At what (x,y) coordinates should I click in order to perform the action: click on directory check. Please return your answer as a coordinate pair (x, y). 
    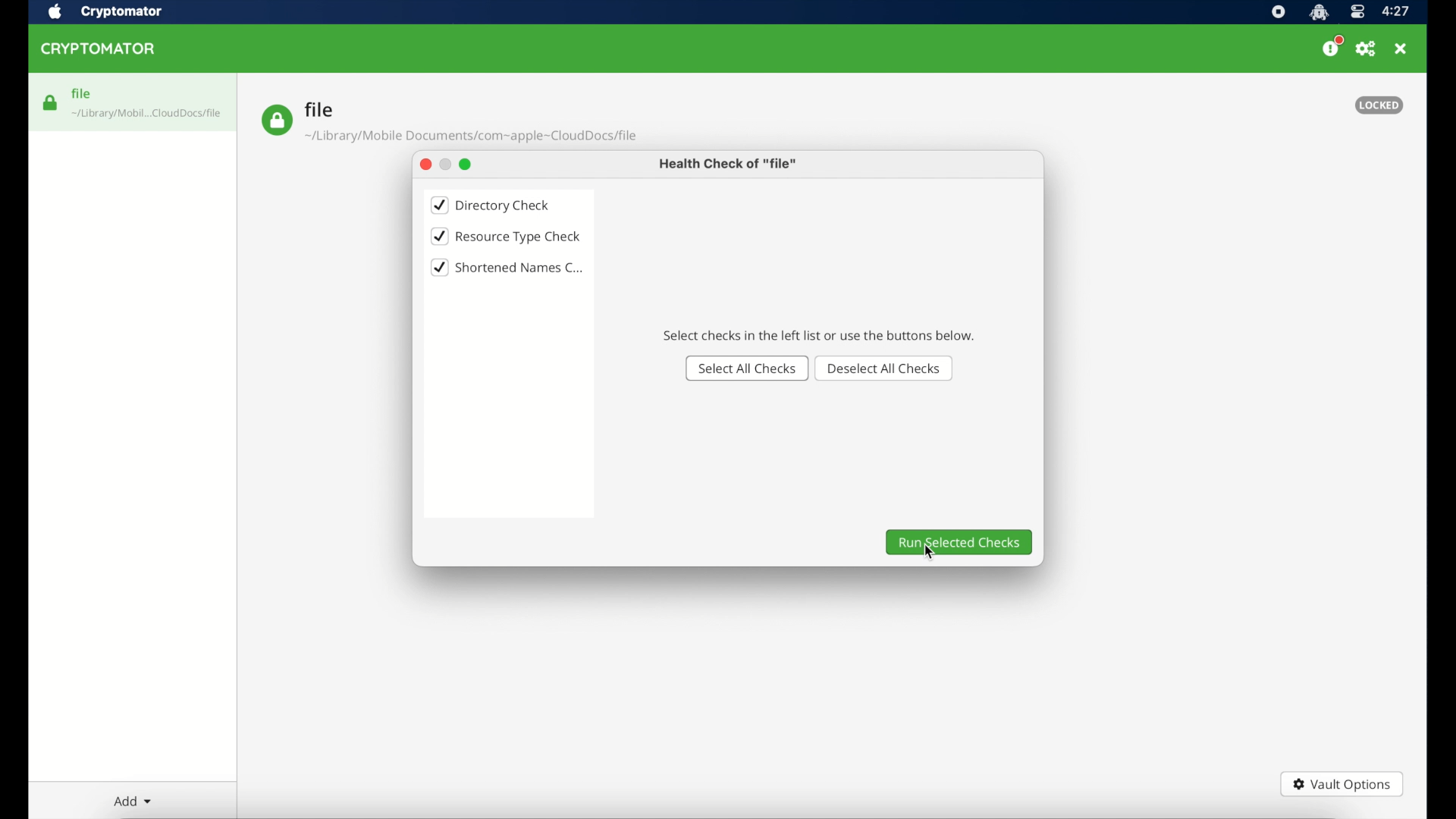
    Looking at the image, I should click on (491, 205).